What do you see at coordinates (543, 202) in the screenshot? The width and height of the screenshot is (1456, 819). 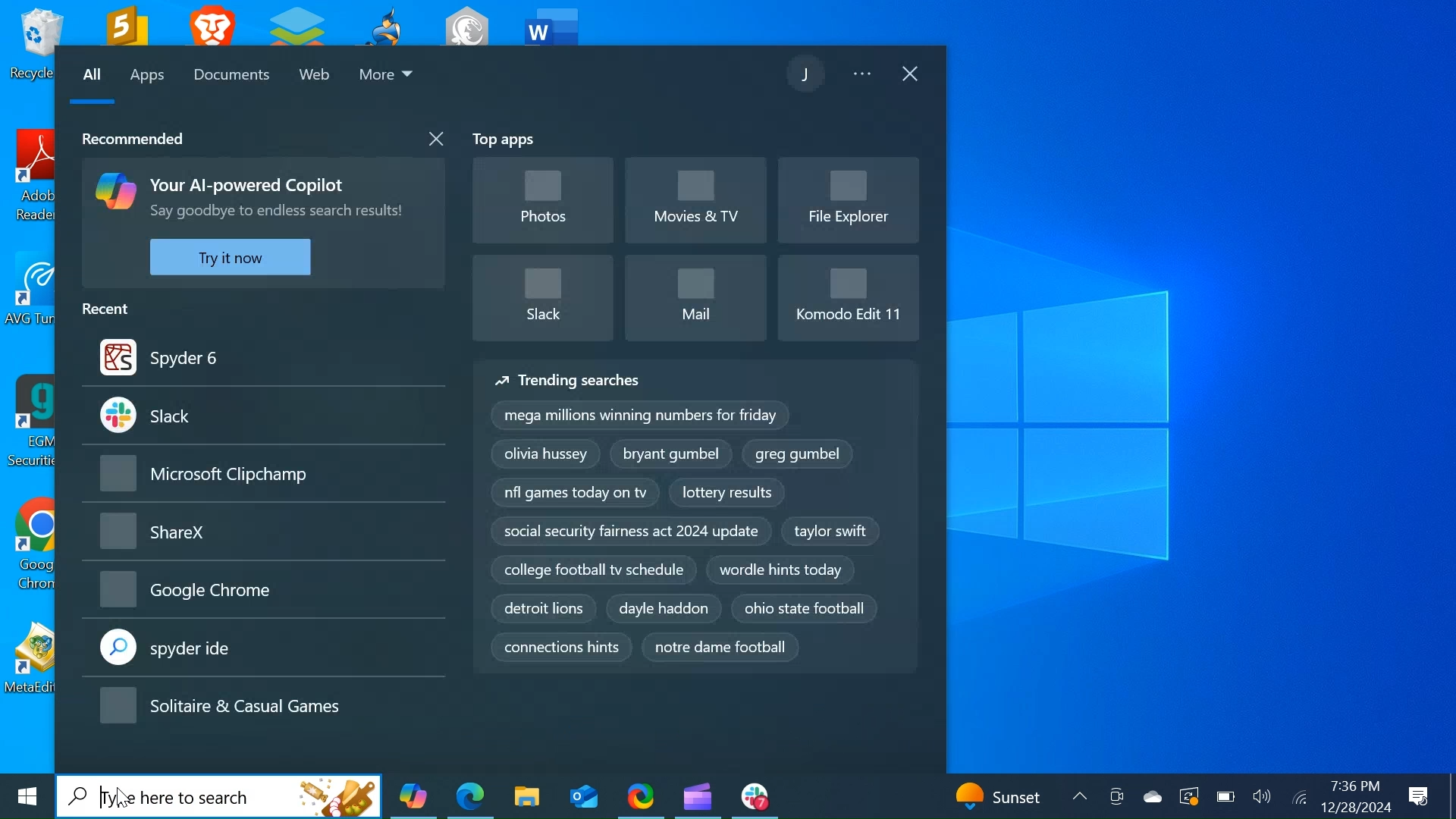 I see `Photos` at bounding box center [543, 202].